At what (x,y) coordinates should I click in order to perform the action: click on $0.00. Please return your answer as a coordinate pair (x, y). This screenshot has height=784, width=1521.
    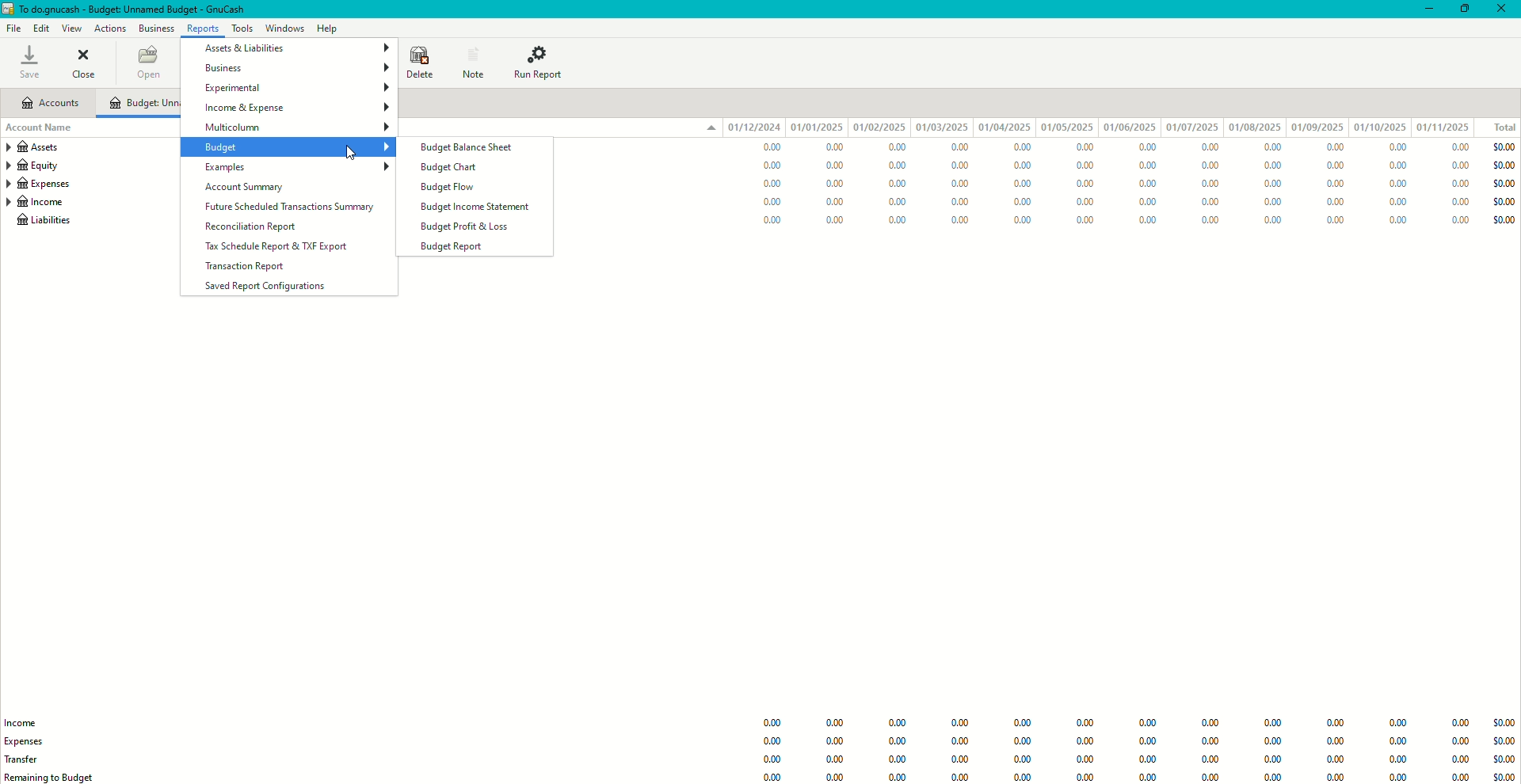
    Looking at the image, I should click on (1501, 201).